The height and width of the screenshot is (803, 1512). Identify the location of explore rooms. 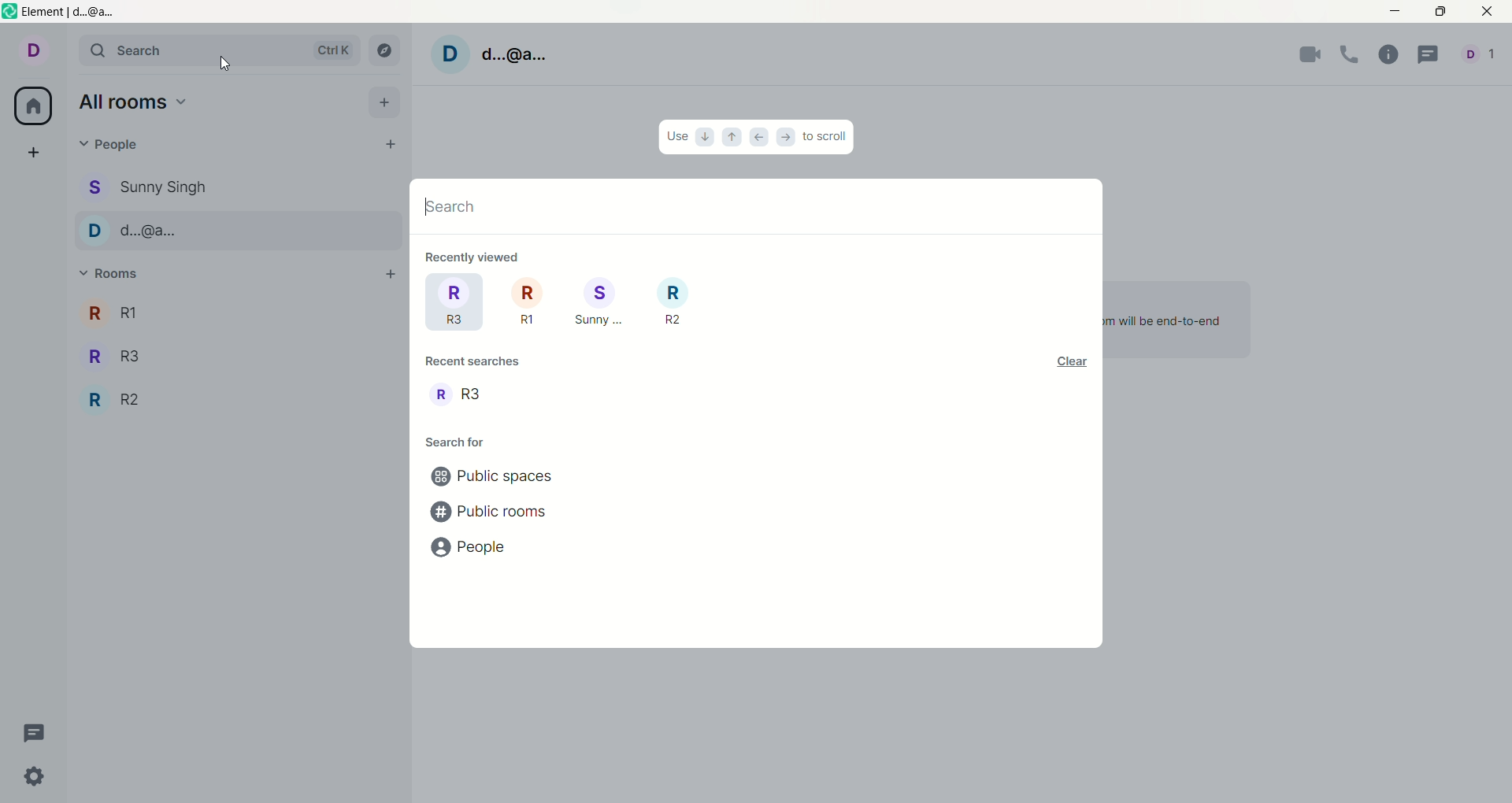
(382, 52).